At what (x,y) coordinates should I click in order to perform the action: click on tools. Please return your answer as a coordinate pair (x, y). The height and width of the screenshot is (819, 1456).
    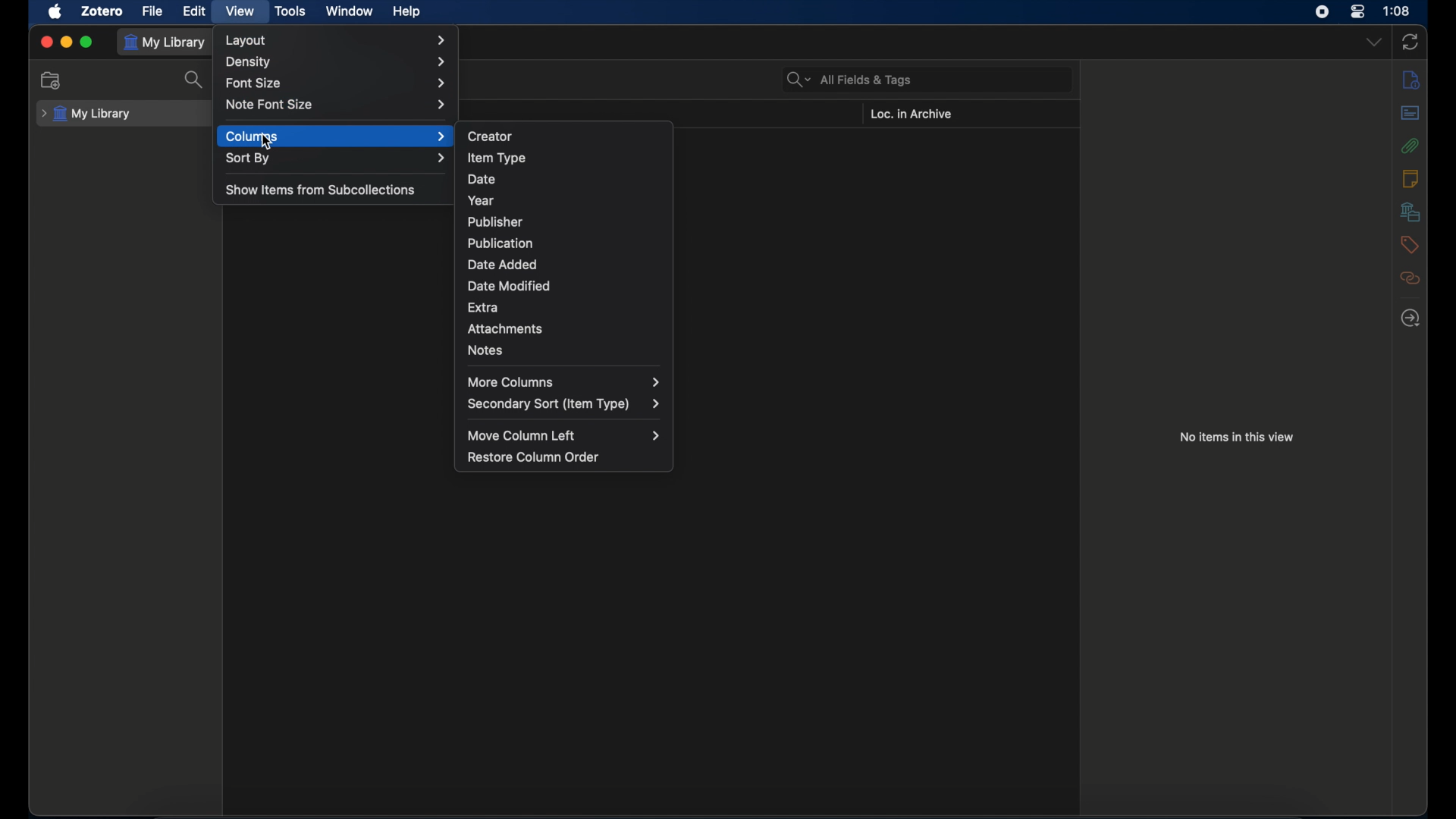
    Looking at the image, I should click on (291, 12).